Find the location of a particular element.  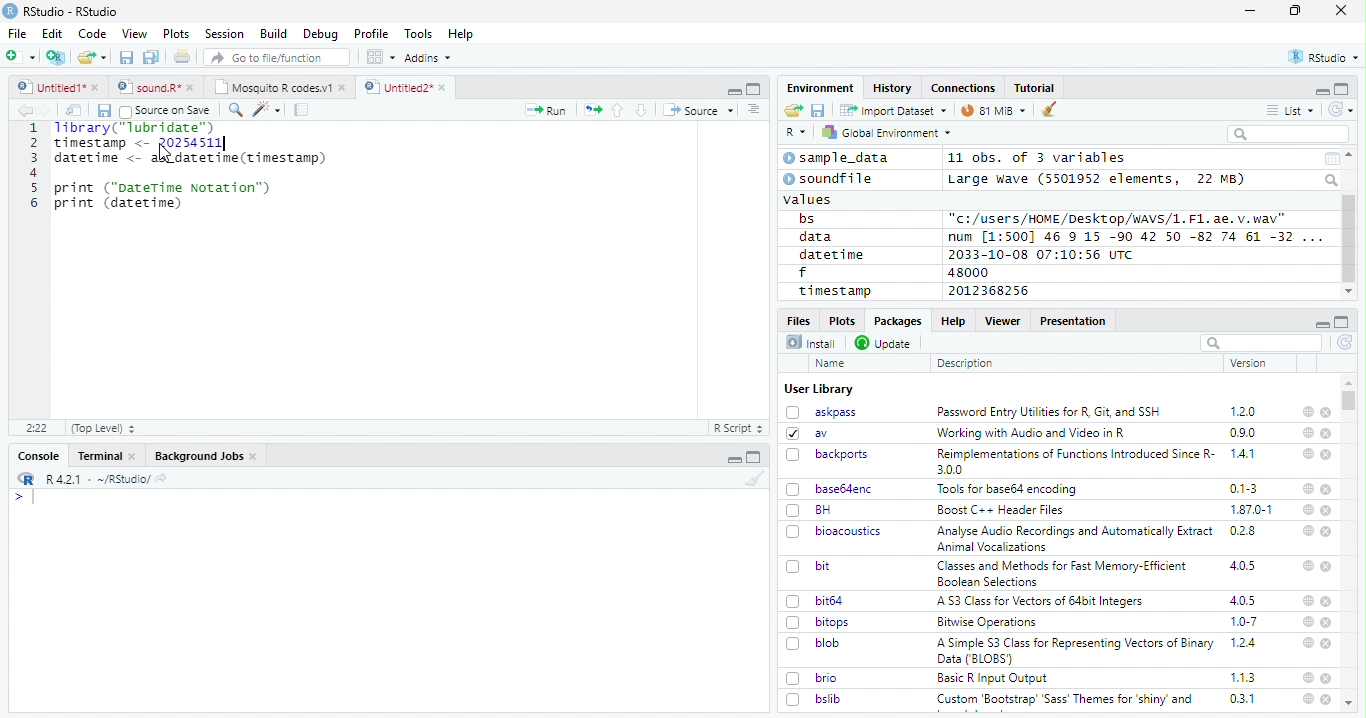

search bar is located at coordinates (1259, 342).